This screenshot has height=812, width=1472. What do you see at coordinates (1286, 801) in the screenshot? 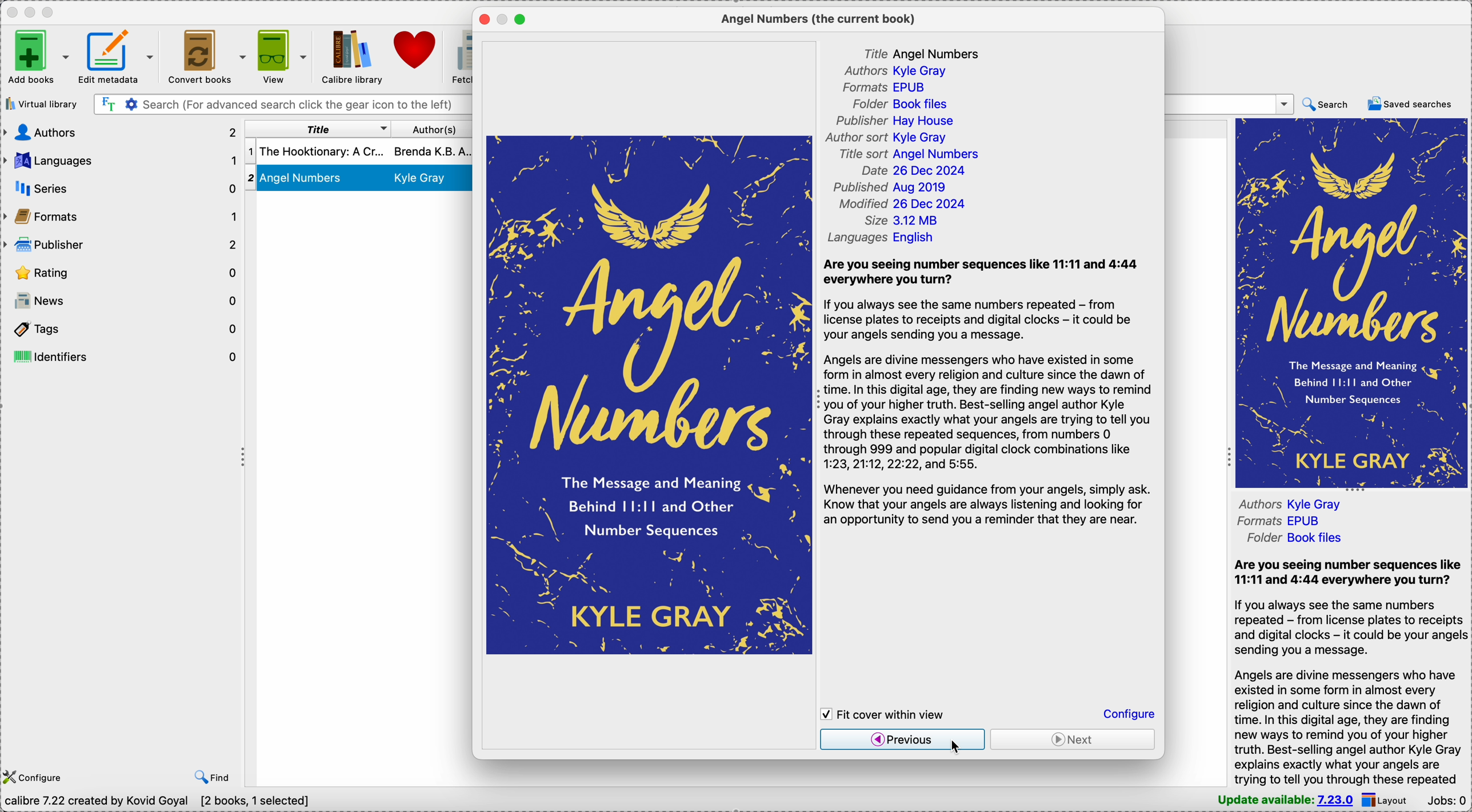
I see `update available` at bounding box center [1286, 801].